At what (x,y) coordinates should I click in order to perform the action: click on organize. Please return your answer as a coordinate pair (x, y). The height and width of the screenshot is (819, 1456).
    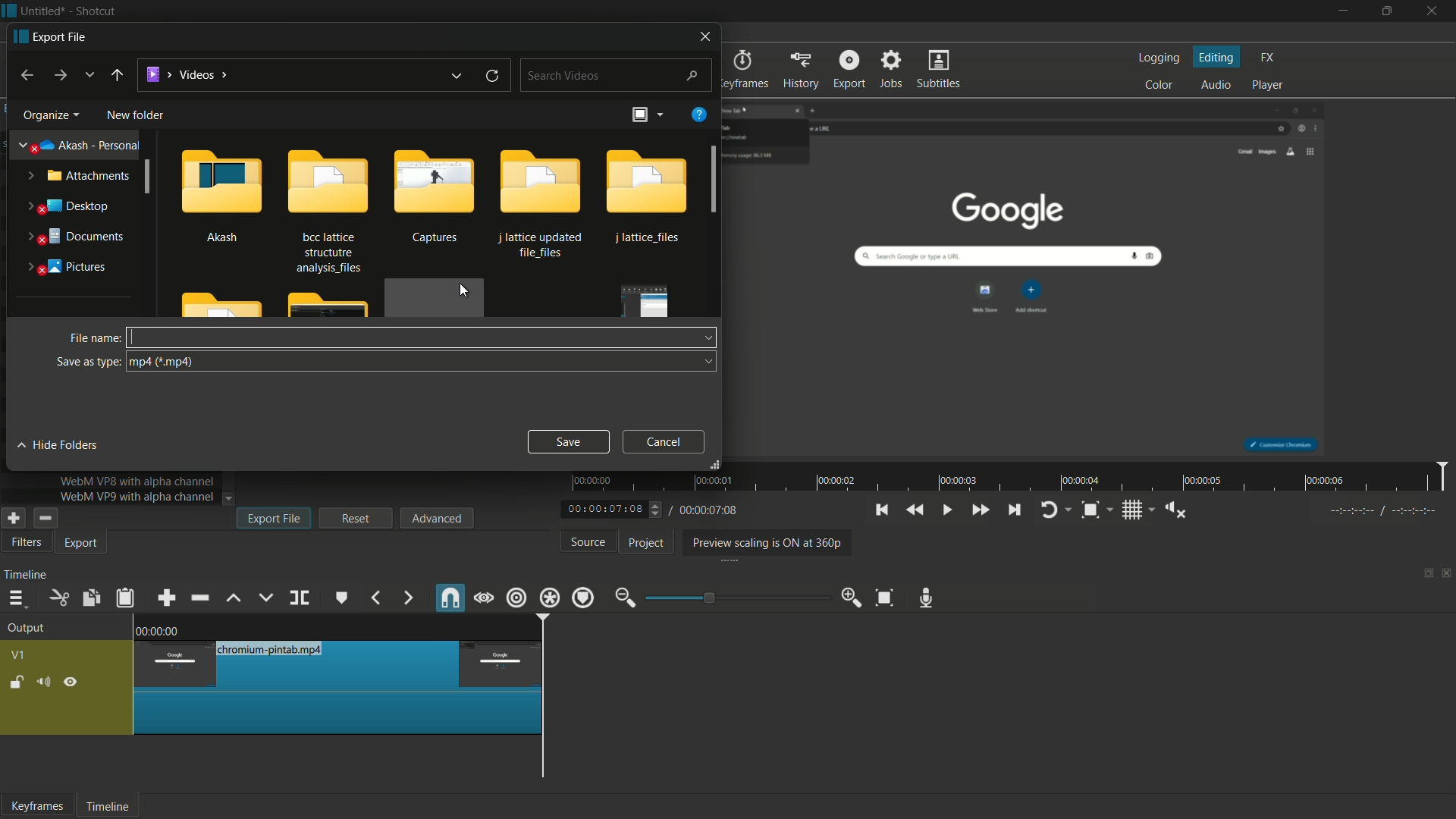
    Looking at the image, I should click on (48, 116).